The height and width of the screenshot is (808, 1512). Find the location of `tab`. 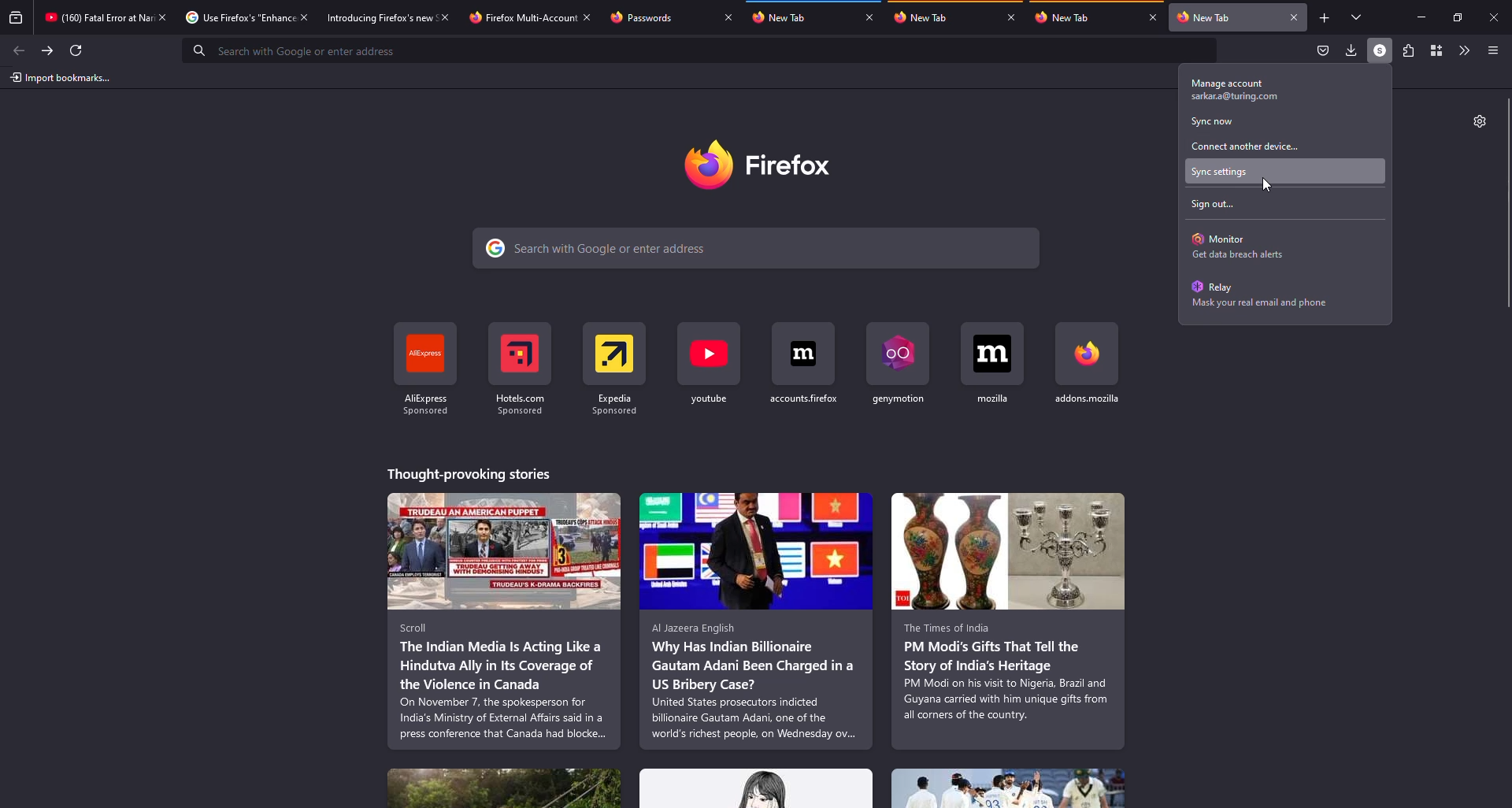

tab is located at coordinates (86, 16).